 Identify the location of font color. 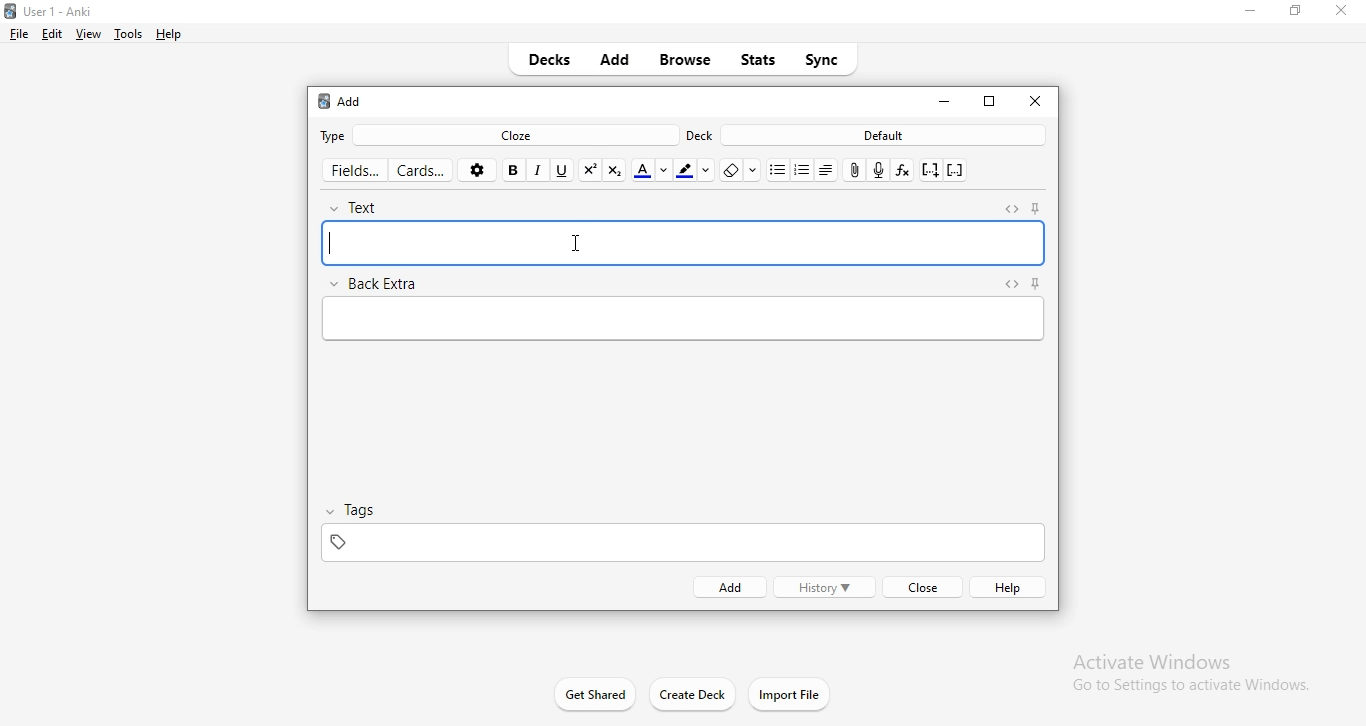
(697, 169).